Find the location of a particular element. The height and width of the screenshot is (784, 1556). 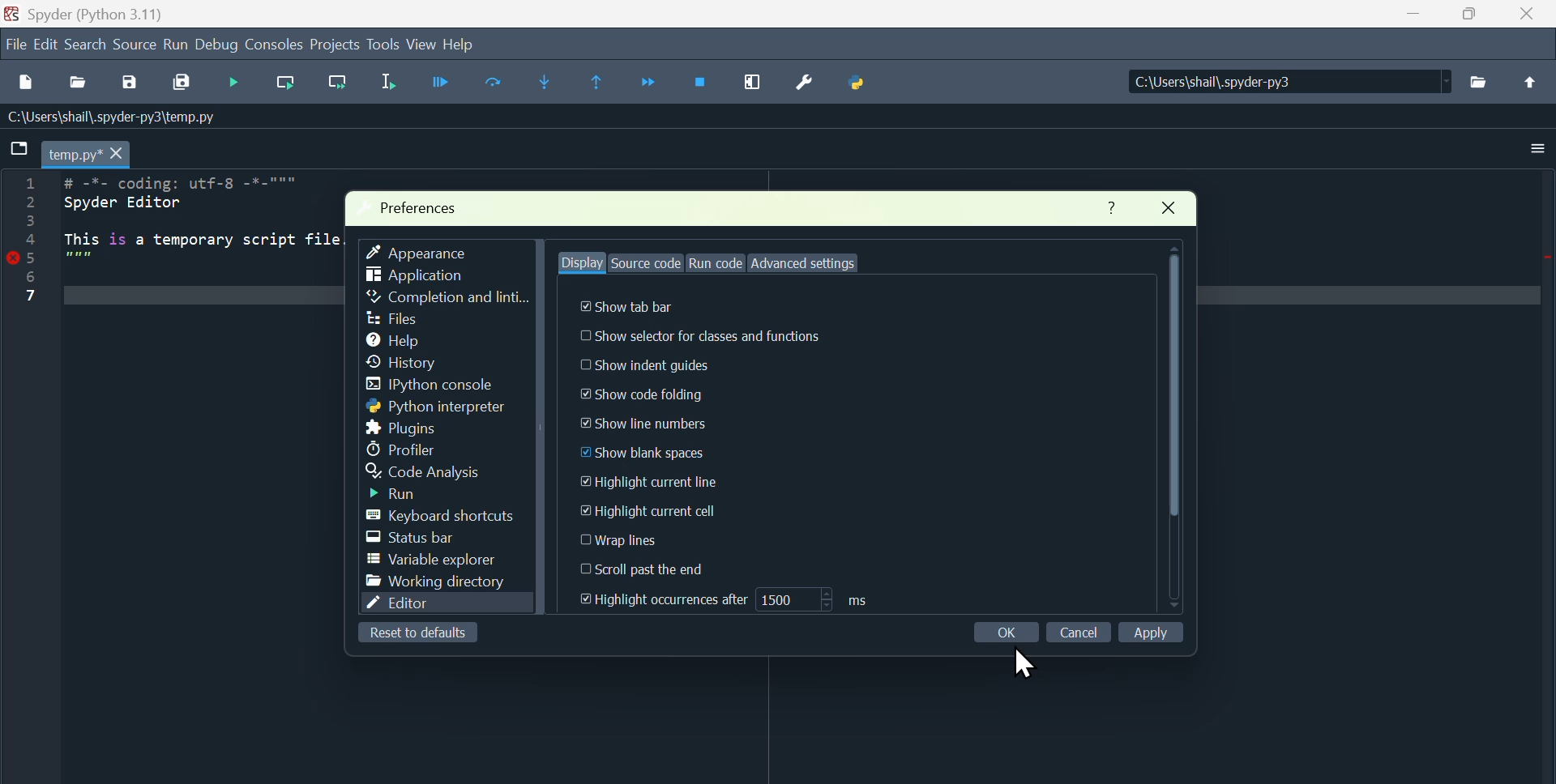

view is located at coordinates (421, 45).